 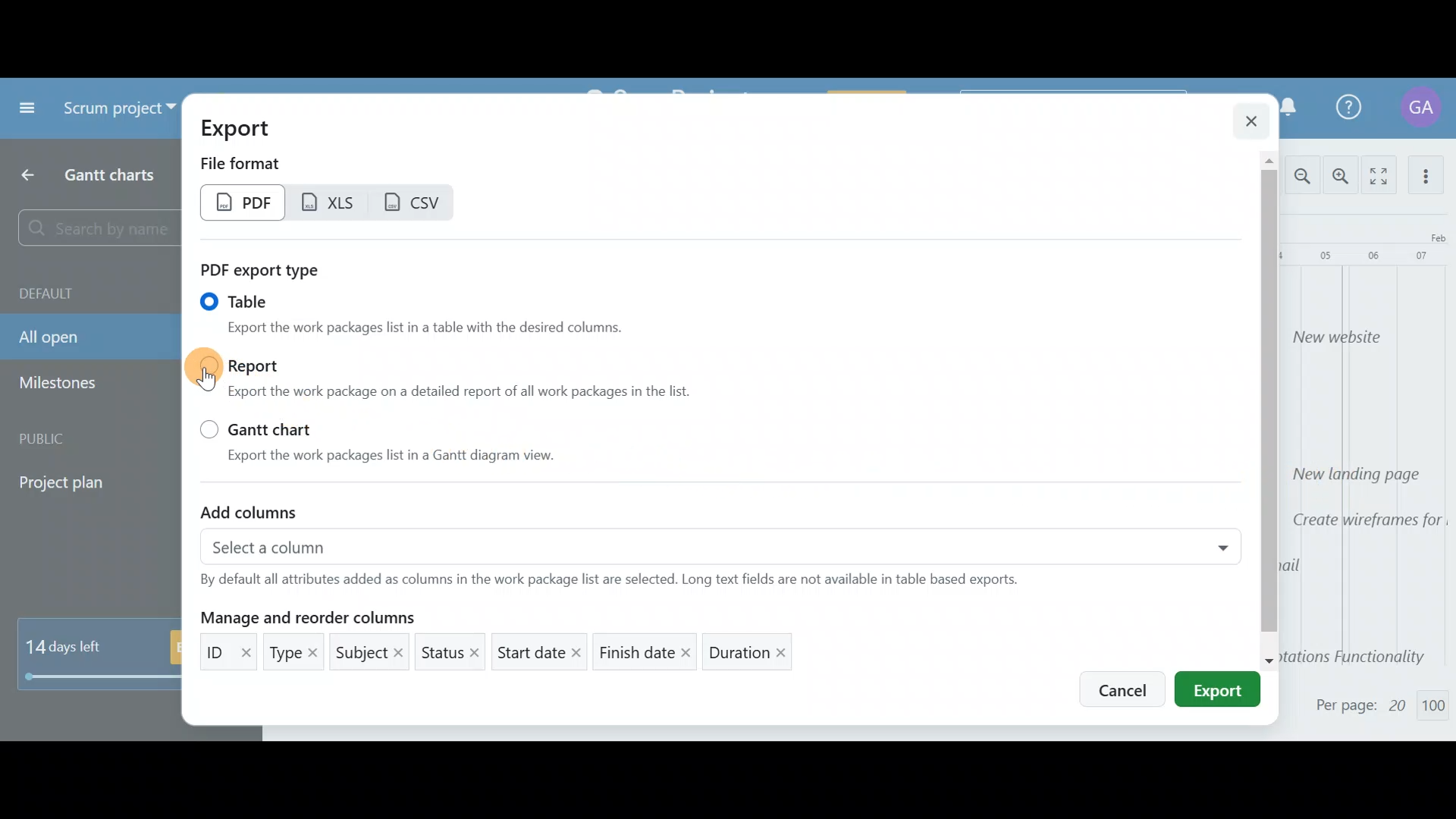 I want to click on Add columns, so click(x=265, y=509).